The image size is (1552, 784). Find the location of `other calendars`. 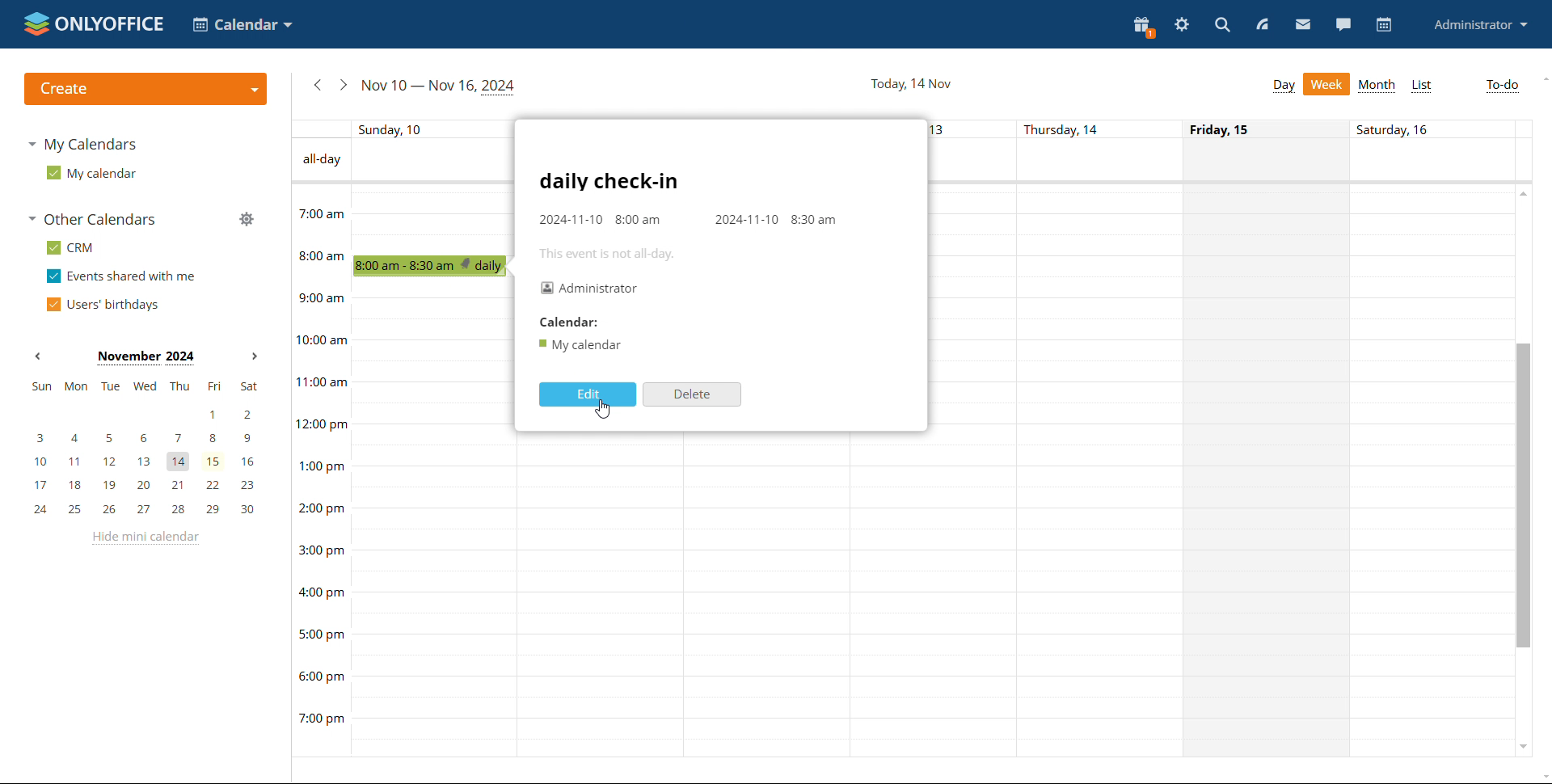

other calendars is located at coordinates (91, 219).